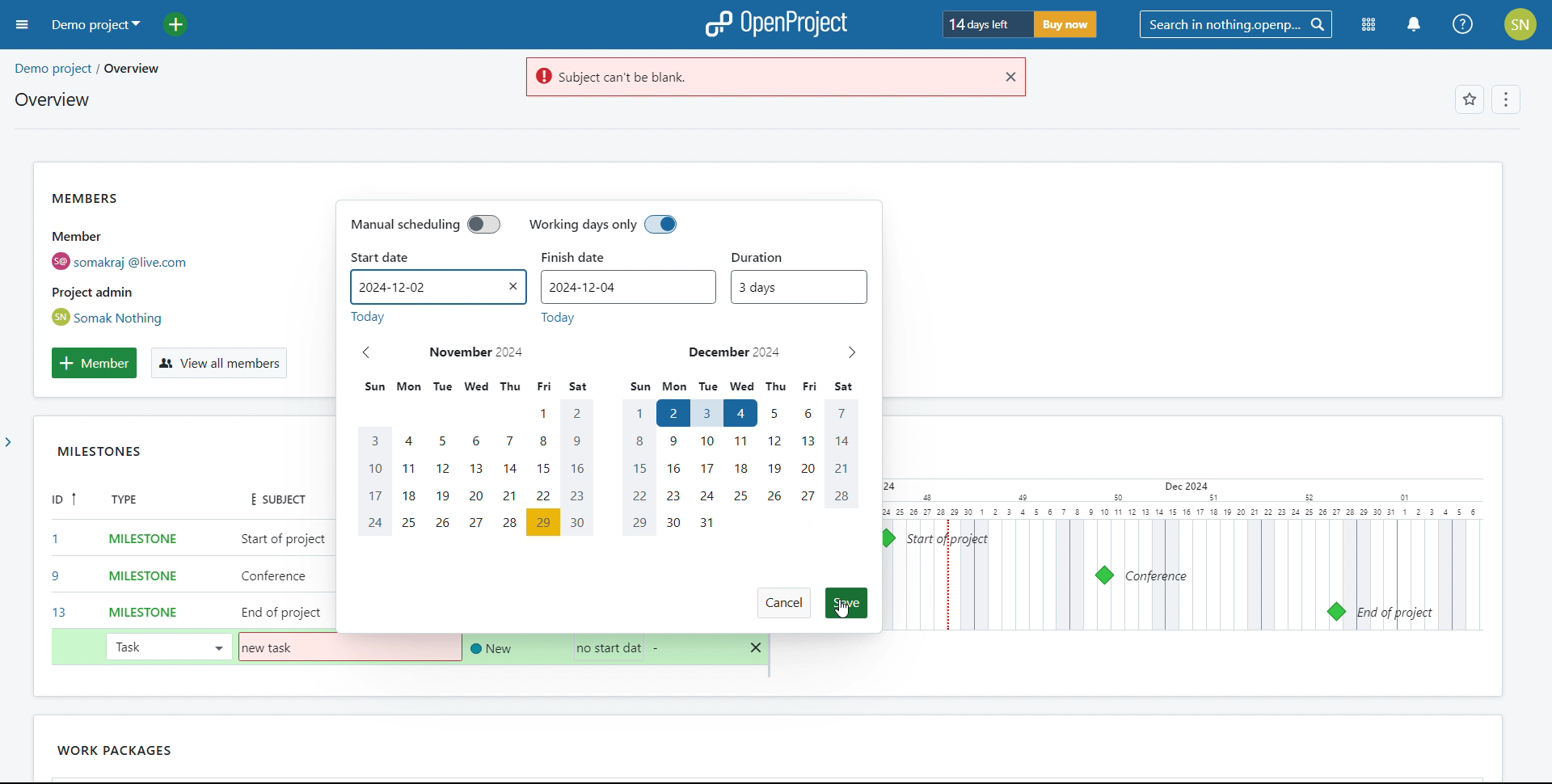  Describe the element at coordinates (606, 387) in the screenshot. I see `days` at that location.